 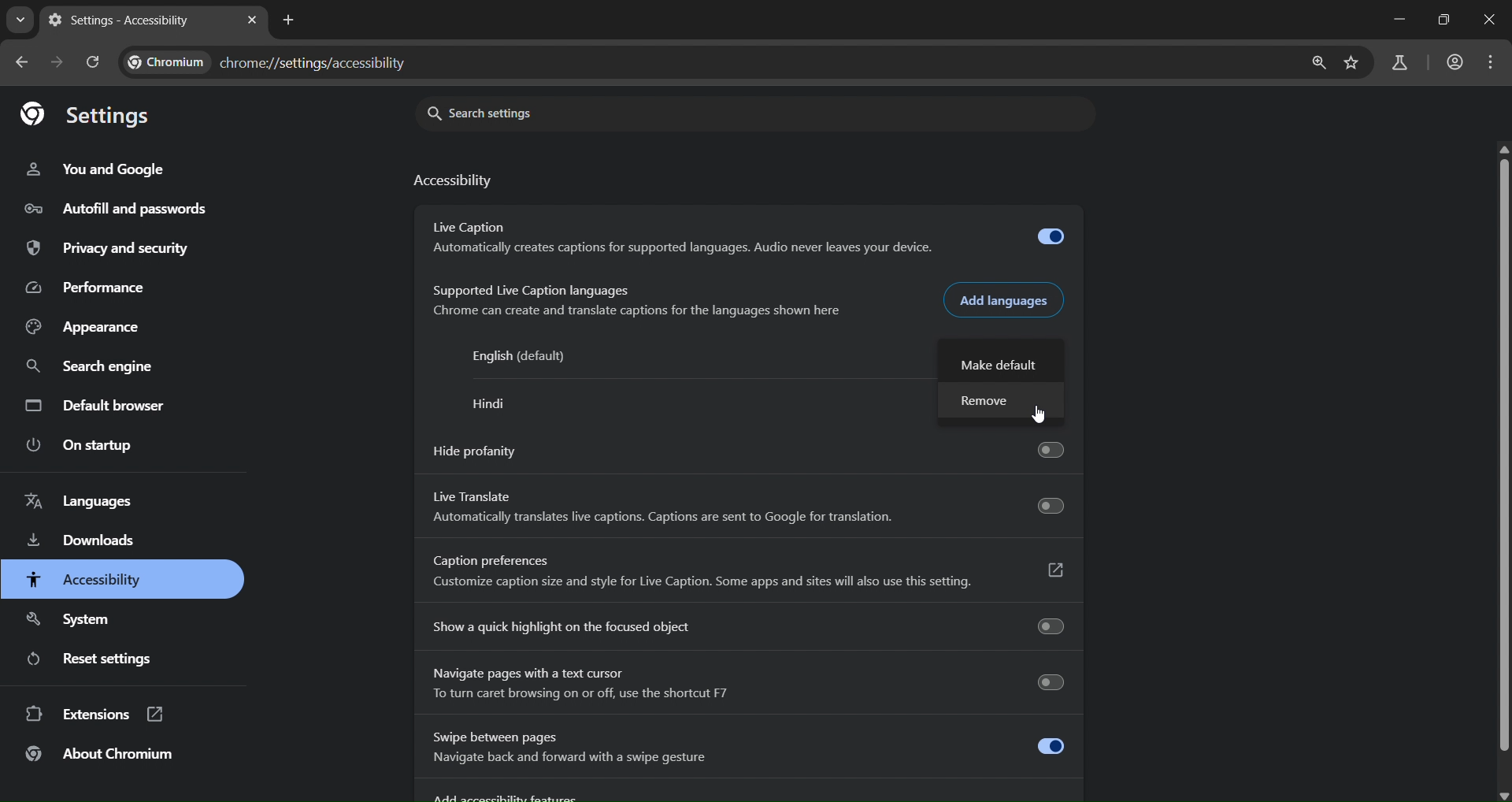 I want to click on close tab, so click(x=250, y=20).